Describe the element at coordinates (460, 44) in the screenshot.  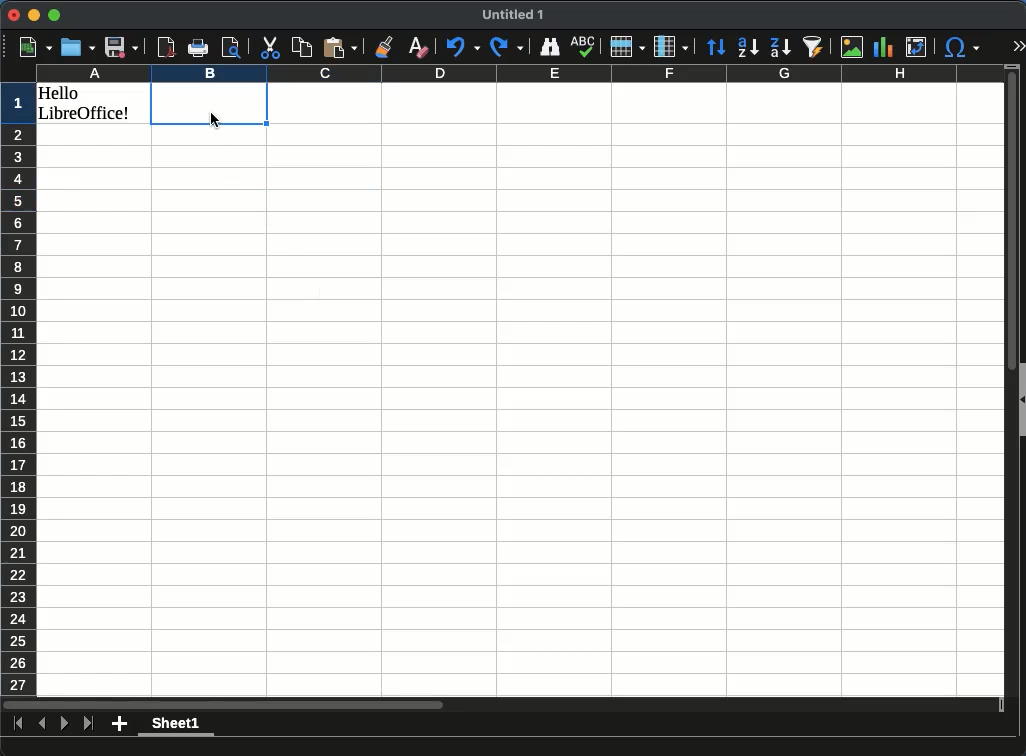
I see `undo` at that location.